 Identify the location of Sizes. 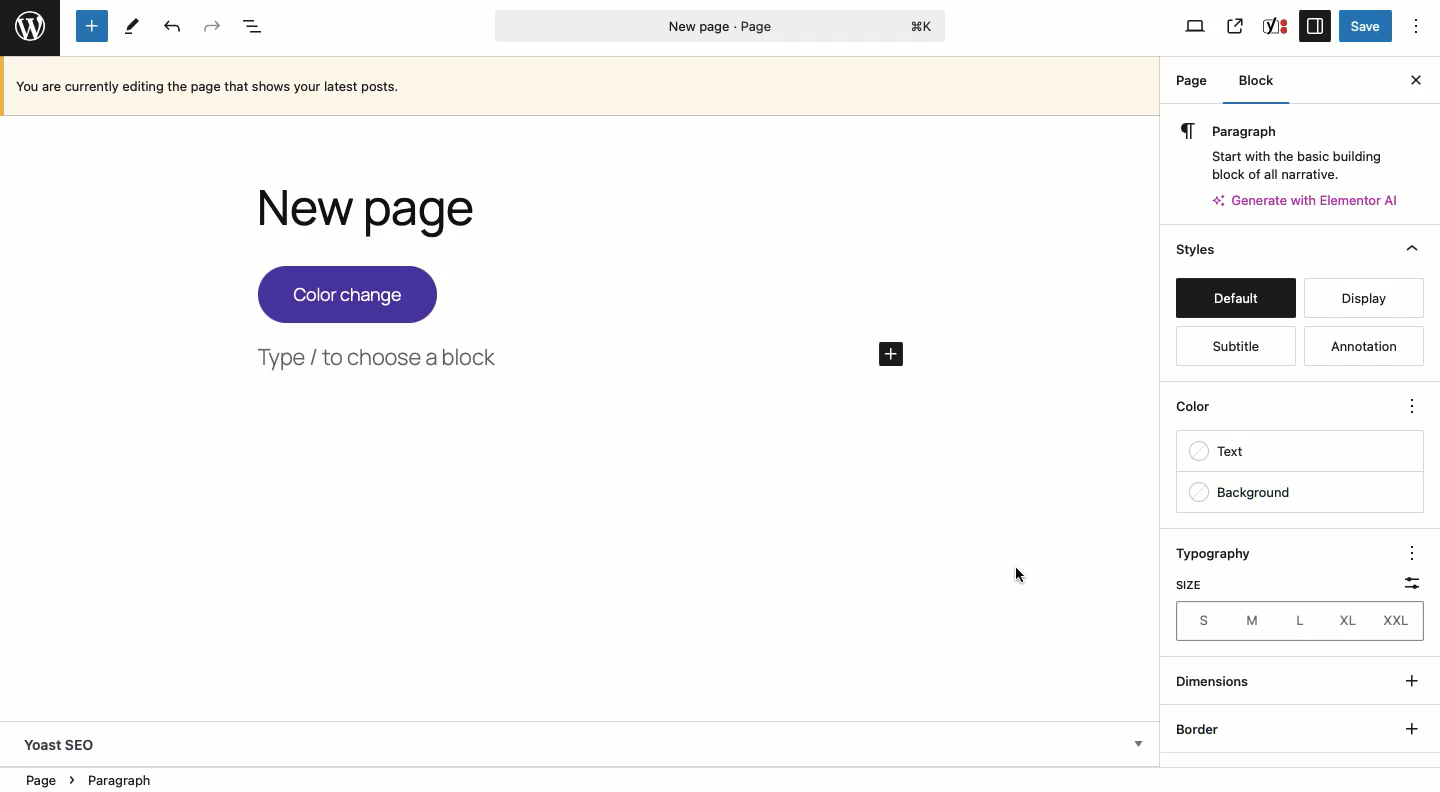
(1301, 621).